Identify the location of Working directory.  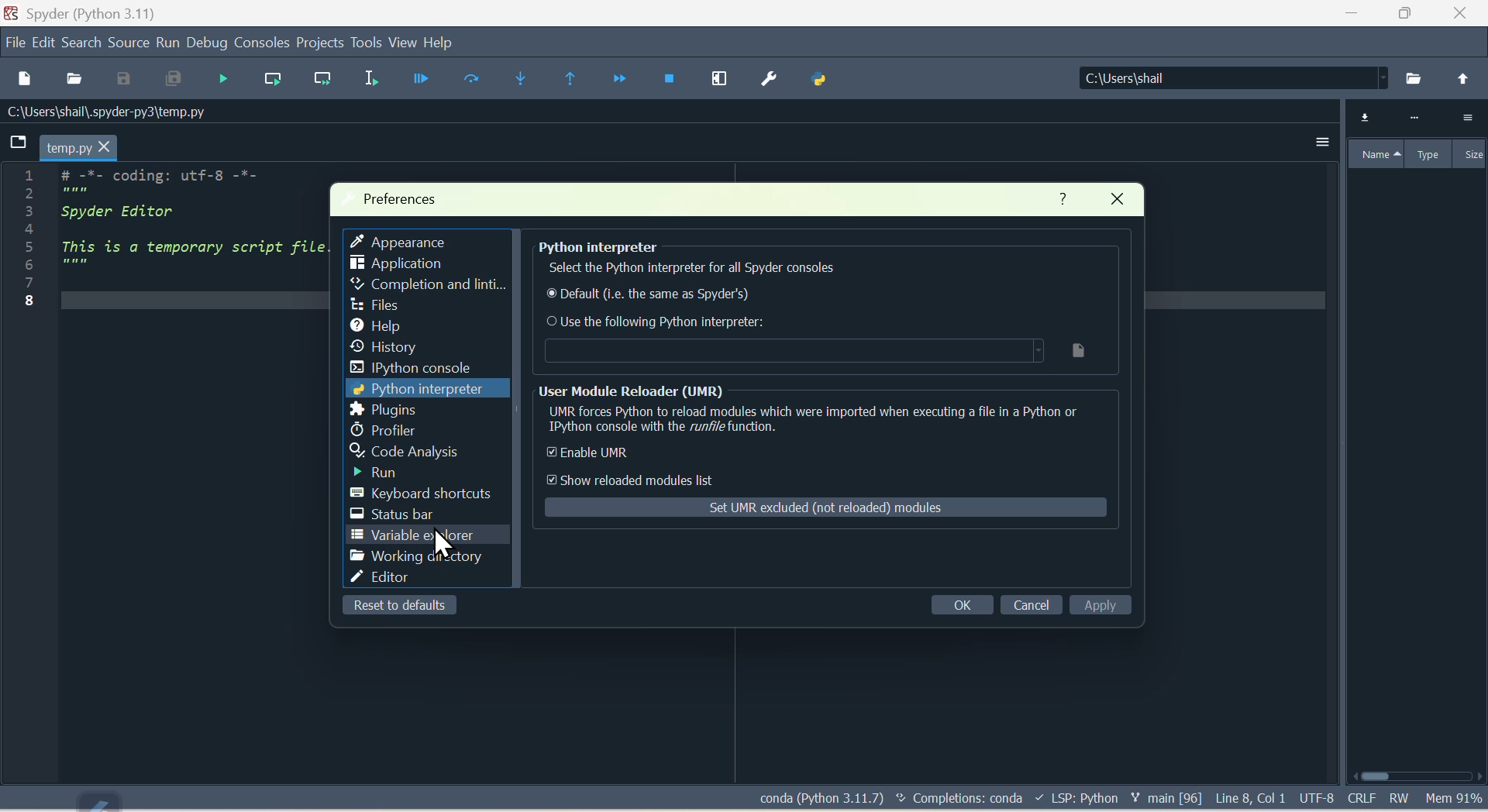
(412, 558).